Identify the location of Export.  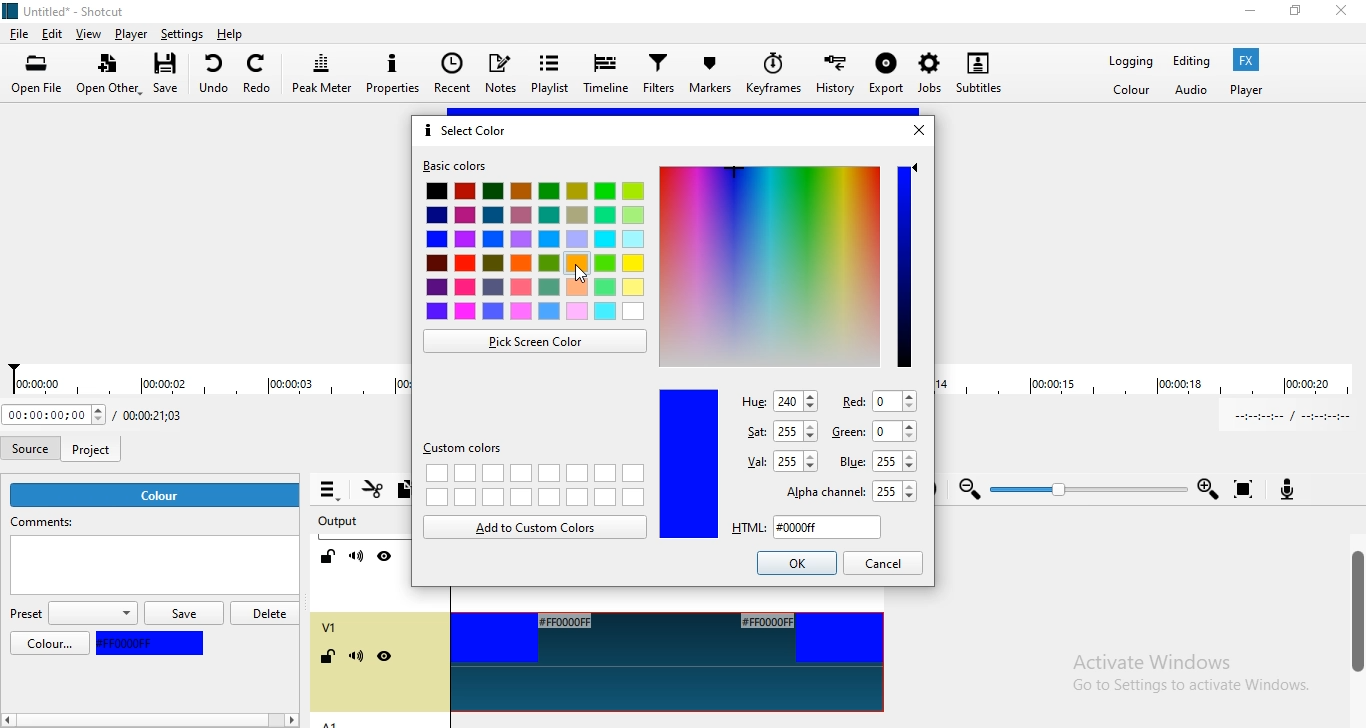
(885, 82).